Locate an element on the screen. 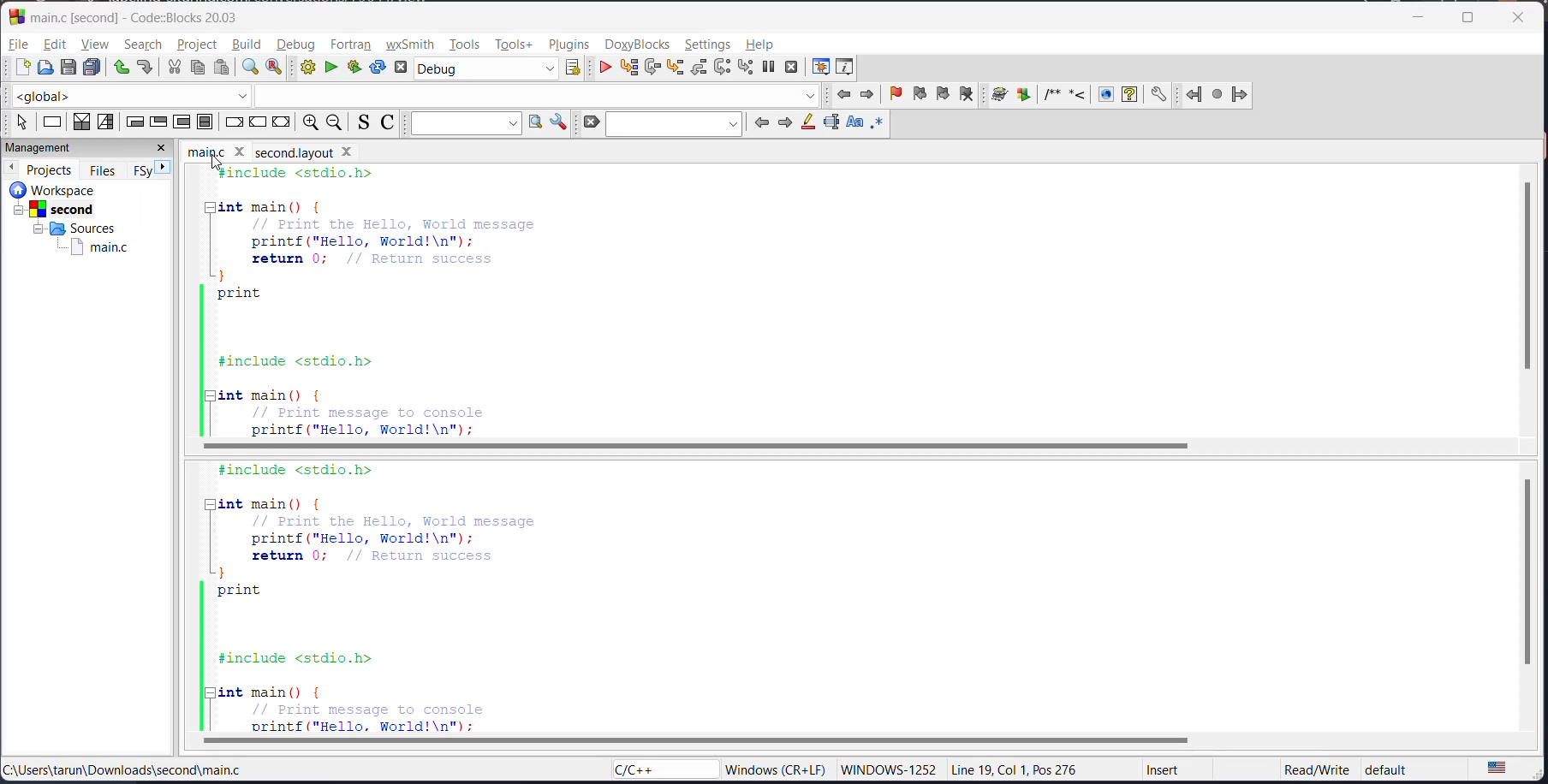  build target is located at coordinates (487, 68).